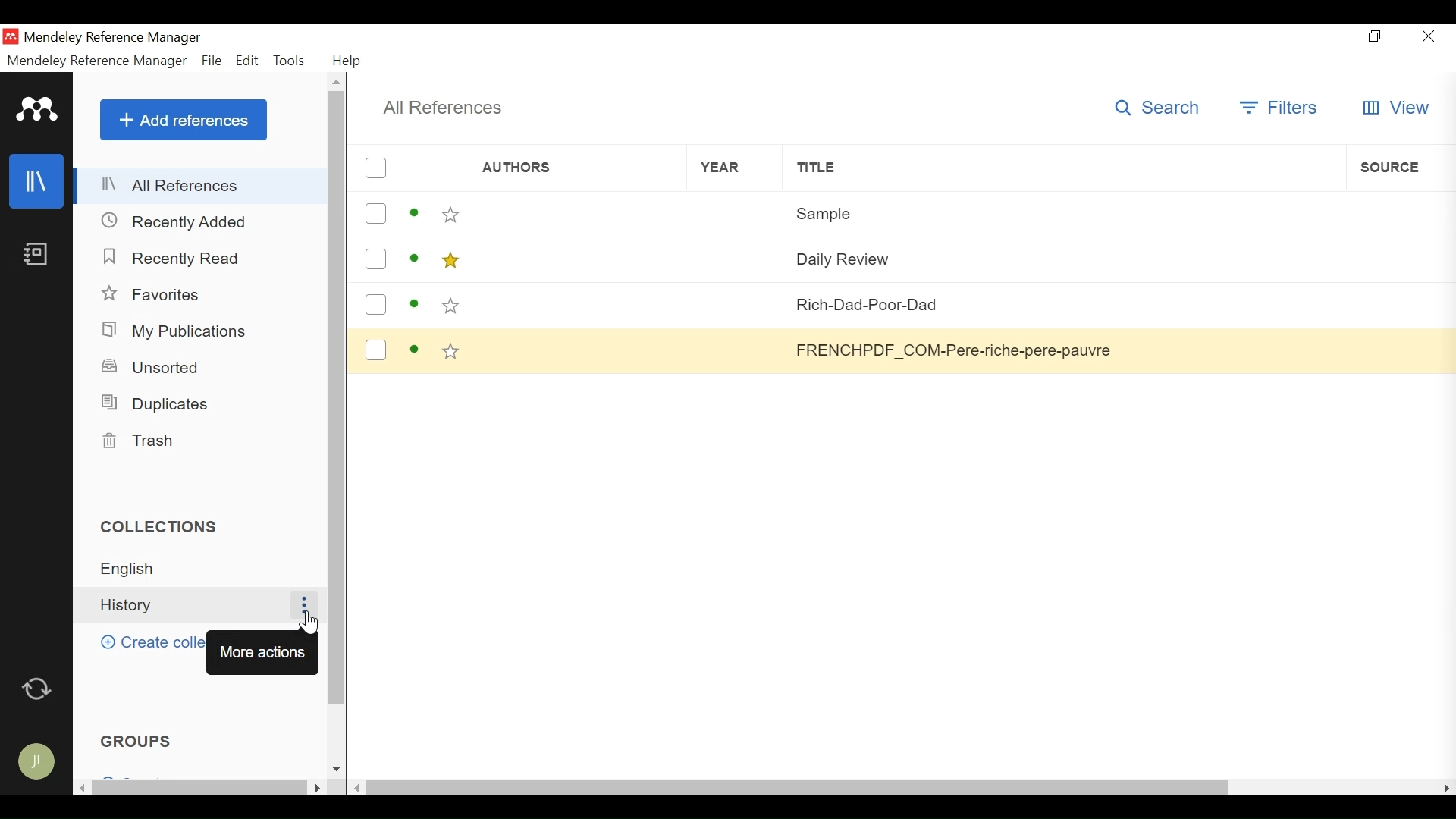 This screenshot has height=819, width=1456. What do you see at coordinates (184, 119) in the screenshot?
I see `Add References` at bounding box center [184, 119].